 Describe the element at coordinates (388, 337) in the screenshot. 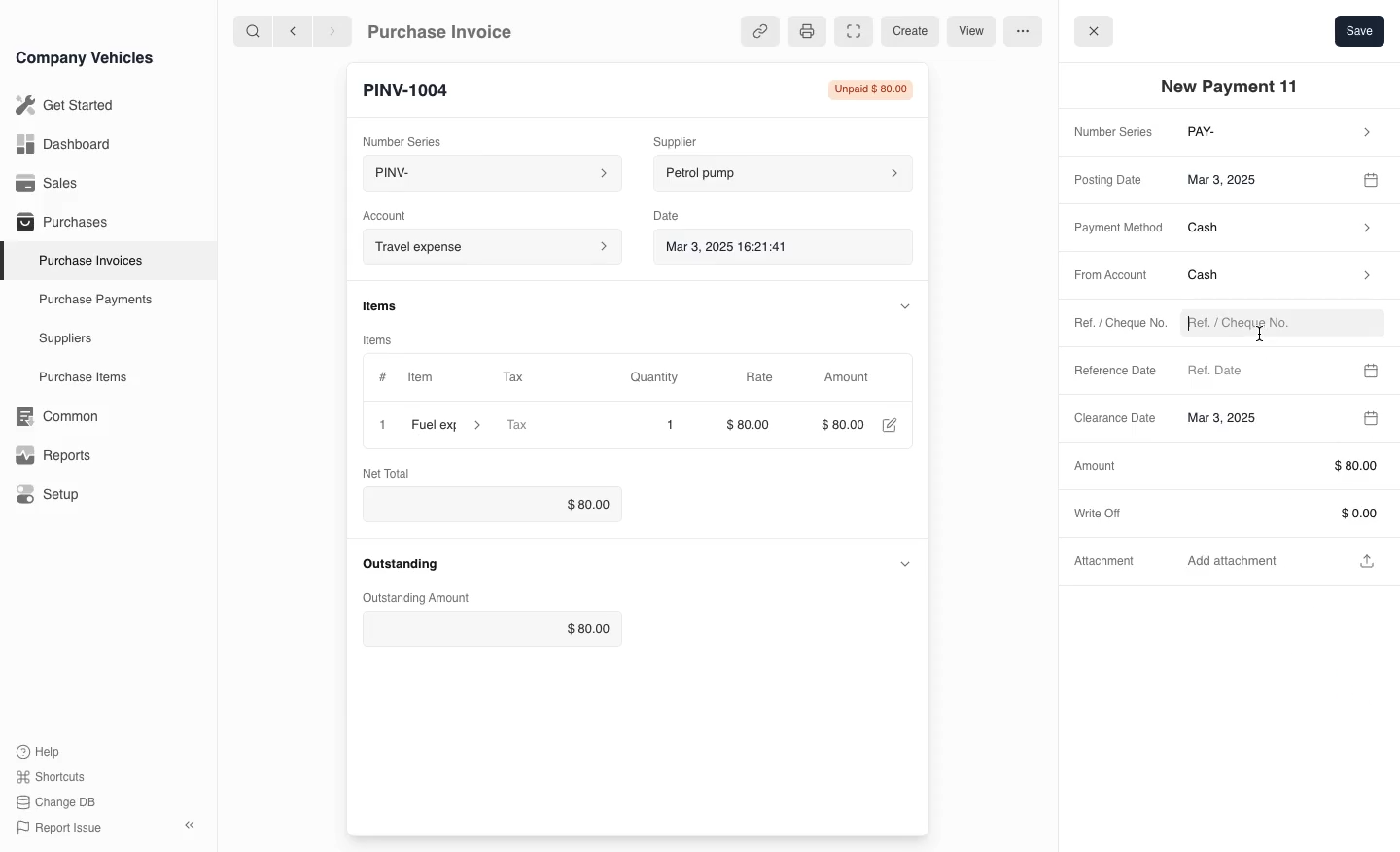

I see `items` at that location.